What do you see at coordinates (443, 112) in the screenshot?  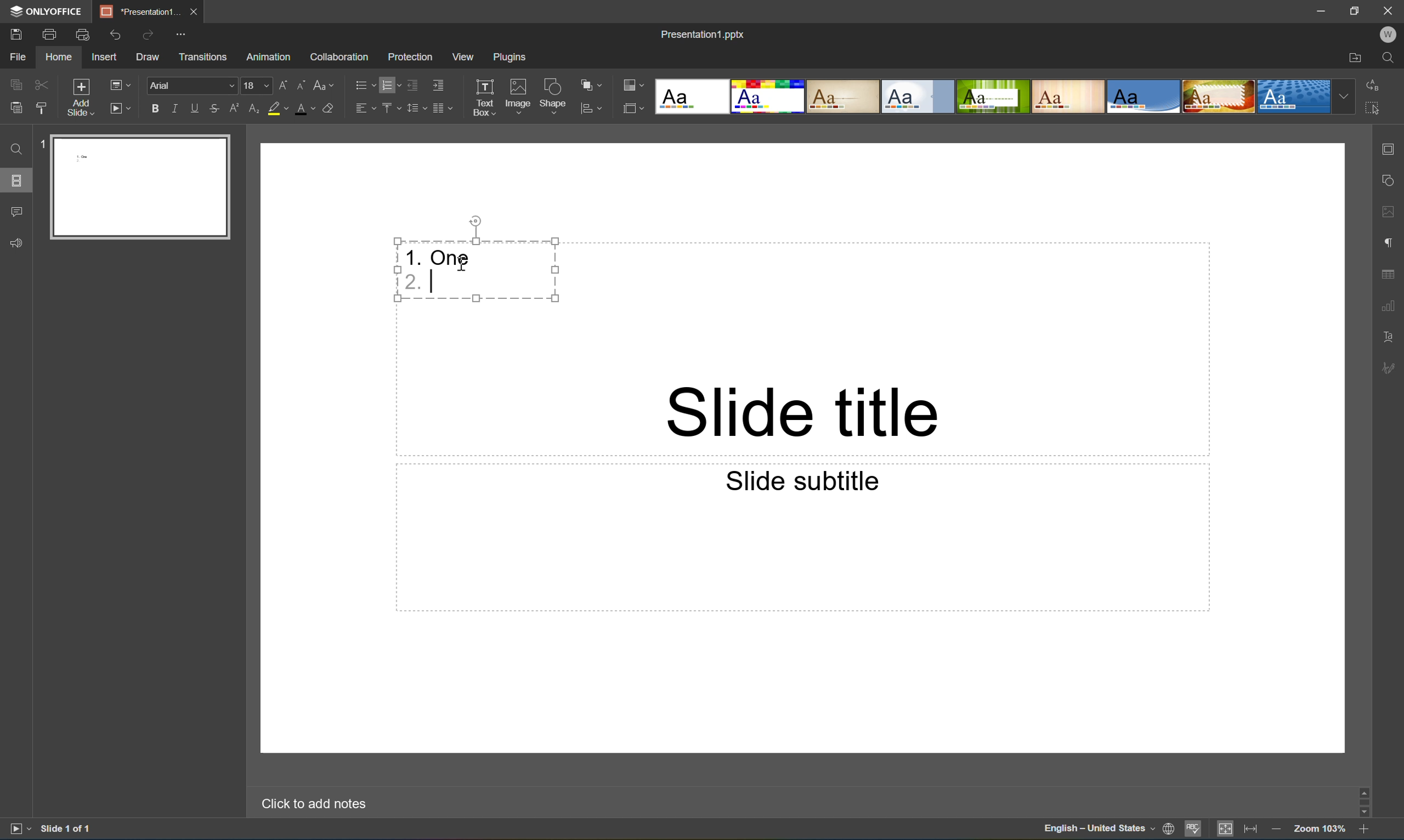 I see `Insert columns` at bounding box center [443, 112].